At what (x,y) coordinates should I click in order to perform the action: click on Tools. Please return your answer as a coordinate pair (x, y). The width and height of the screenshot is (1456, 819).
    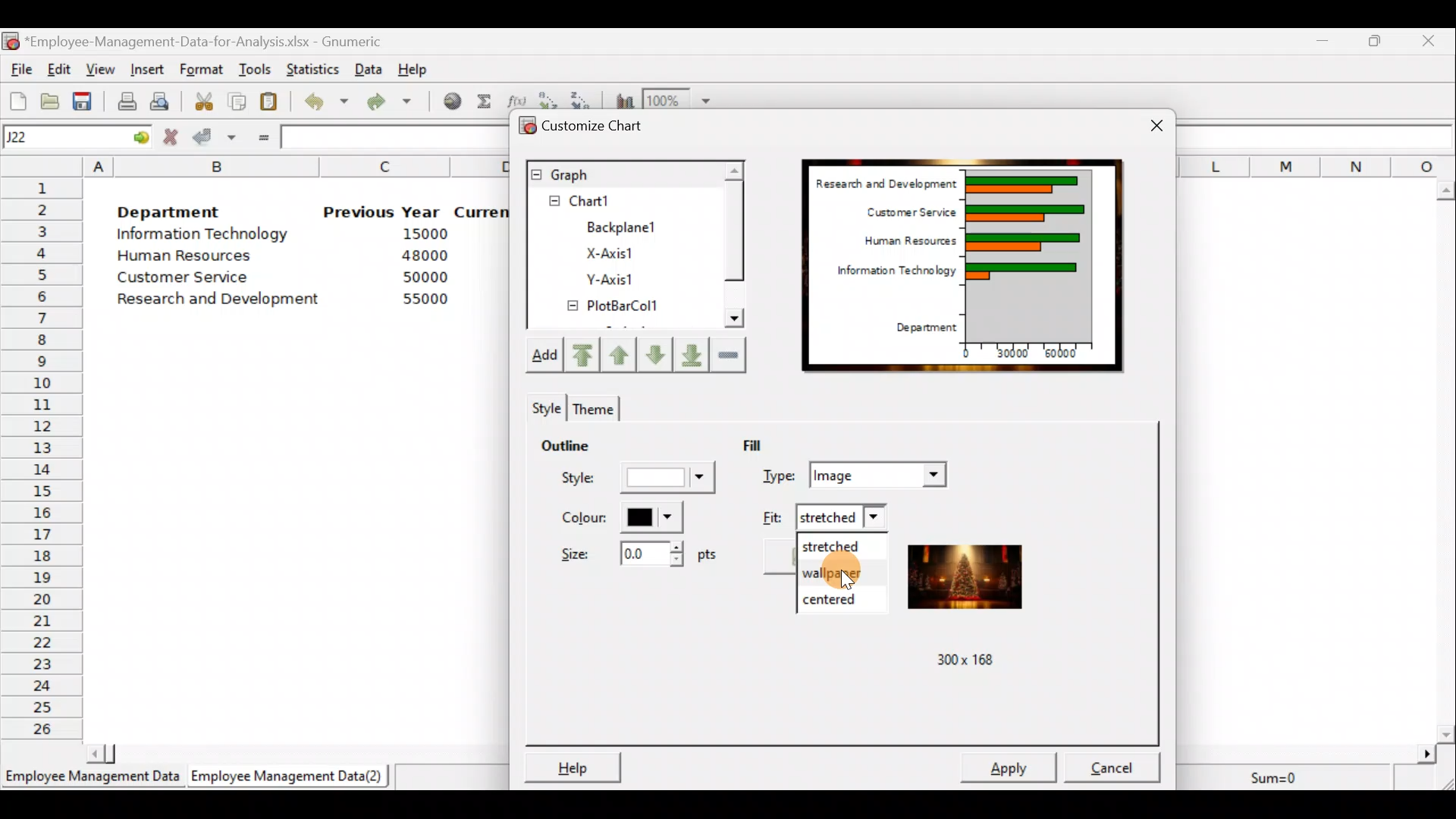
    Looking at the image, I should click on (255, 67).